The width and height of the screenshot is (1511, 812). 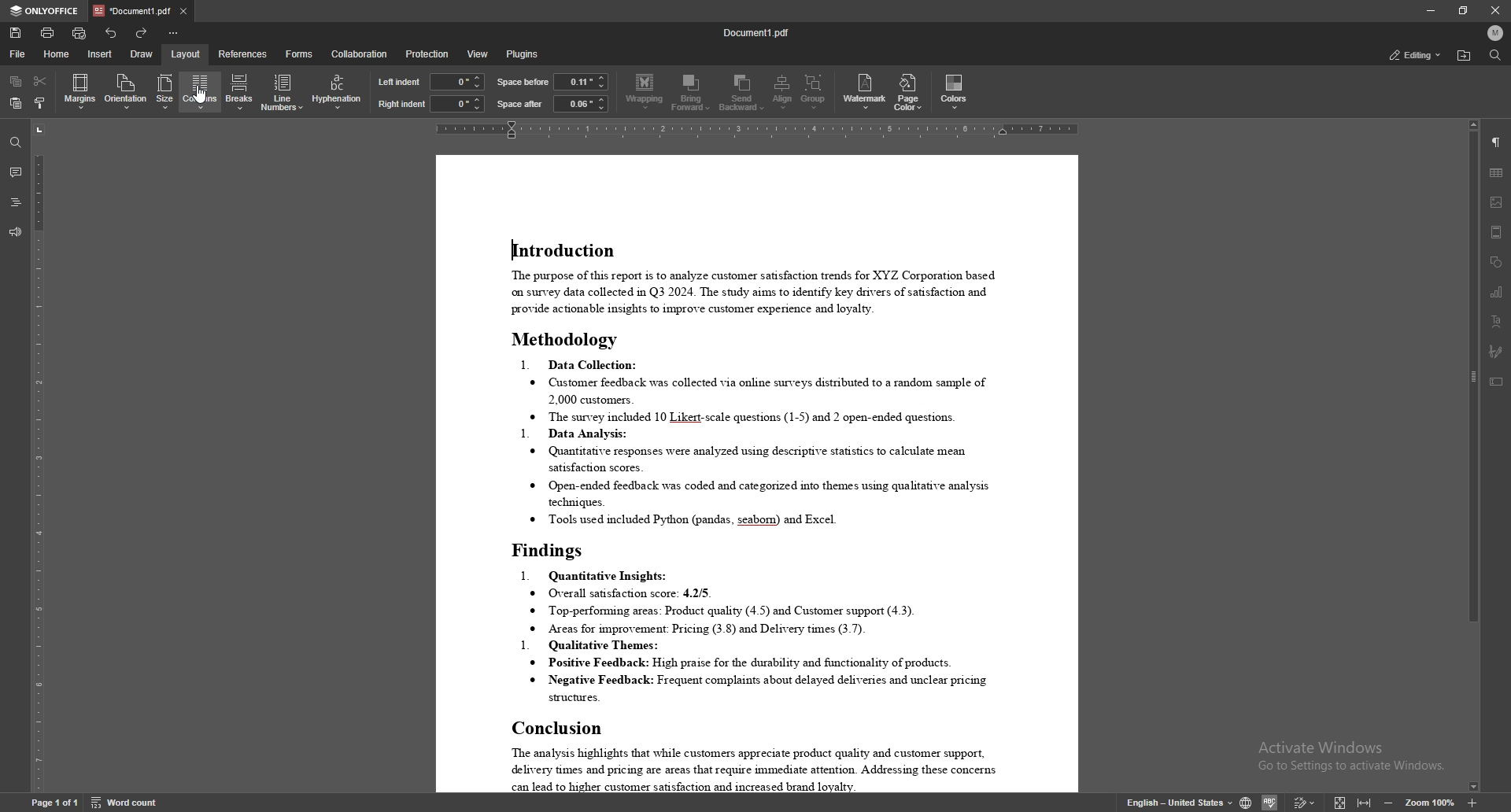 What do you see at coordinates (645, 93) in the screenshot?
I see `wrapping` at bounding box center [645, 93].